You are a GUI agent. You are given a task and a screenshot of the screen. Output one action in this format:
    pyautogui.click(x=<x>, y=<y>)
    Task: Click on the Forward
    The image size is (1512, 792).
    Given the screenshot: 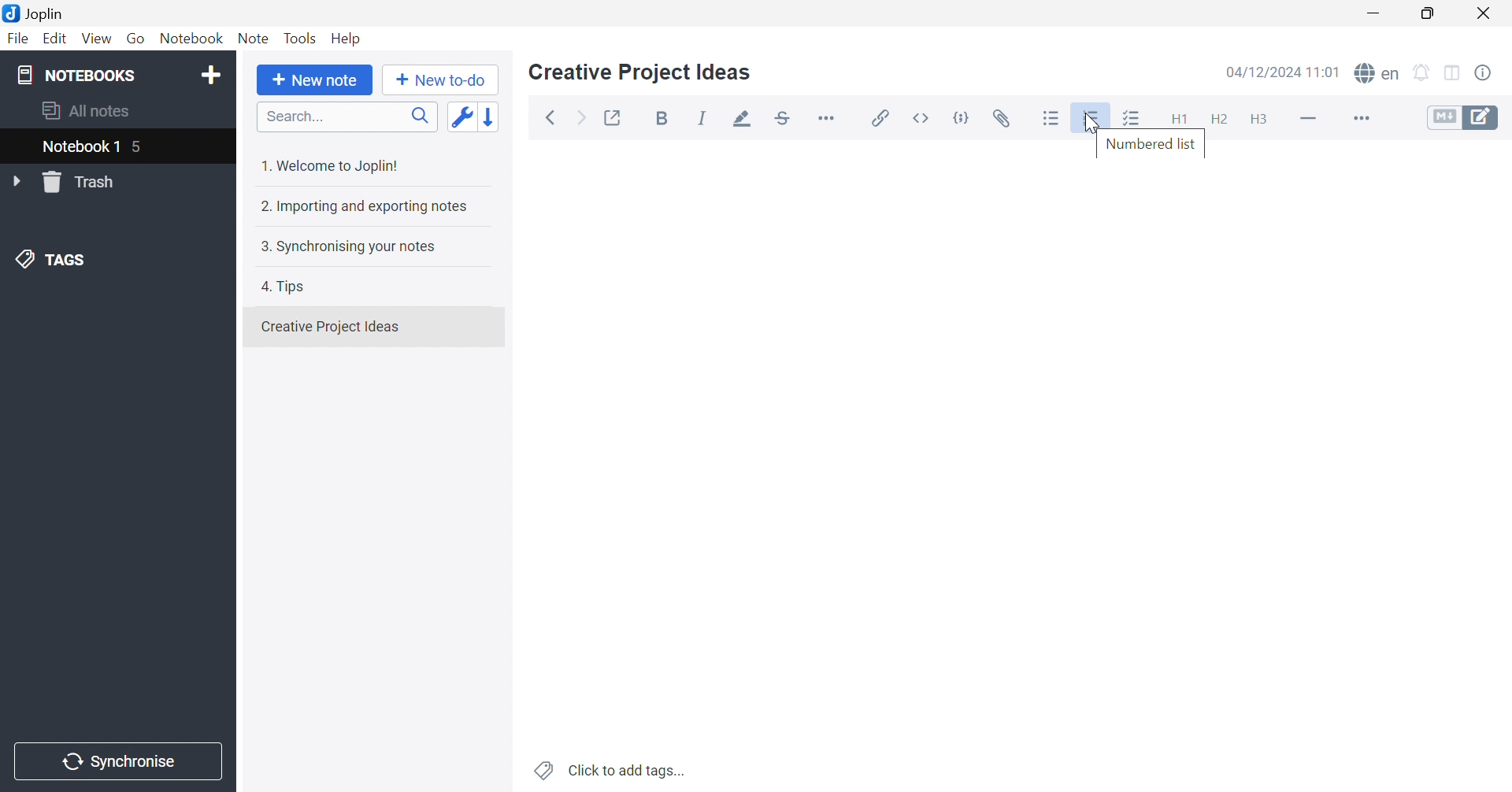 What is the action you would take?
    pyautogui.click(x=580, y=120)
    